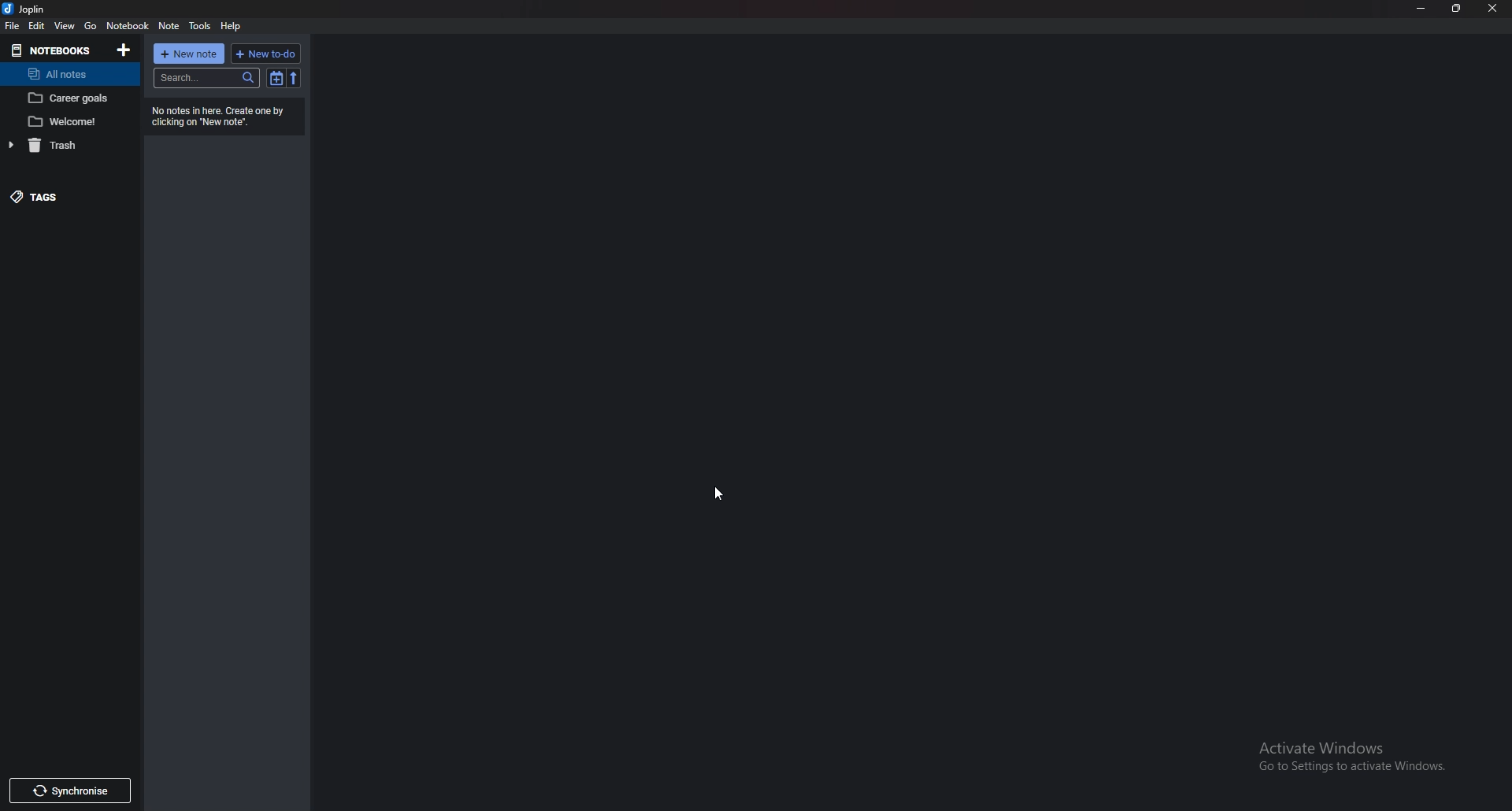 Image resolution: width=1512 pixels, height=811 pixels. Describe the element at coordinates (72, 792) in the screenshot. I see `synchronise` at that location.